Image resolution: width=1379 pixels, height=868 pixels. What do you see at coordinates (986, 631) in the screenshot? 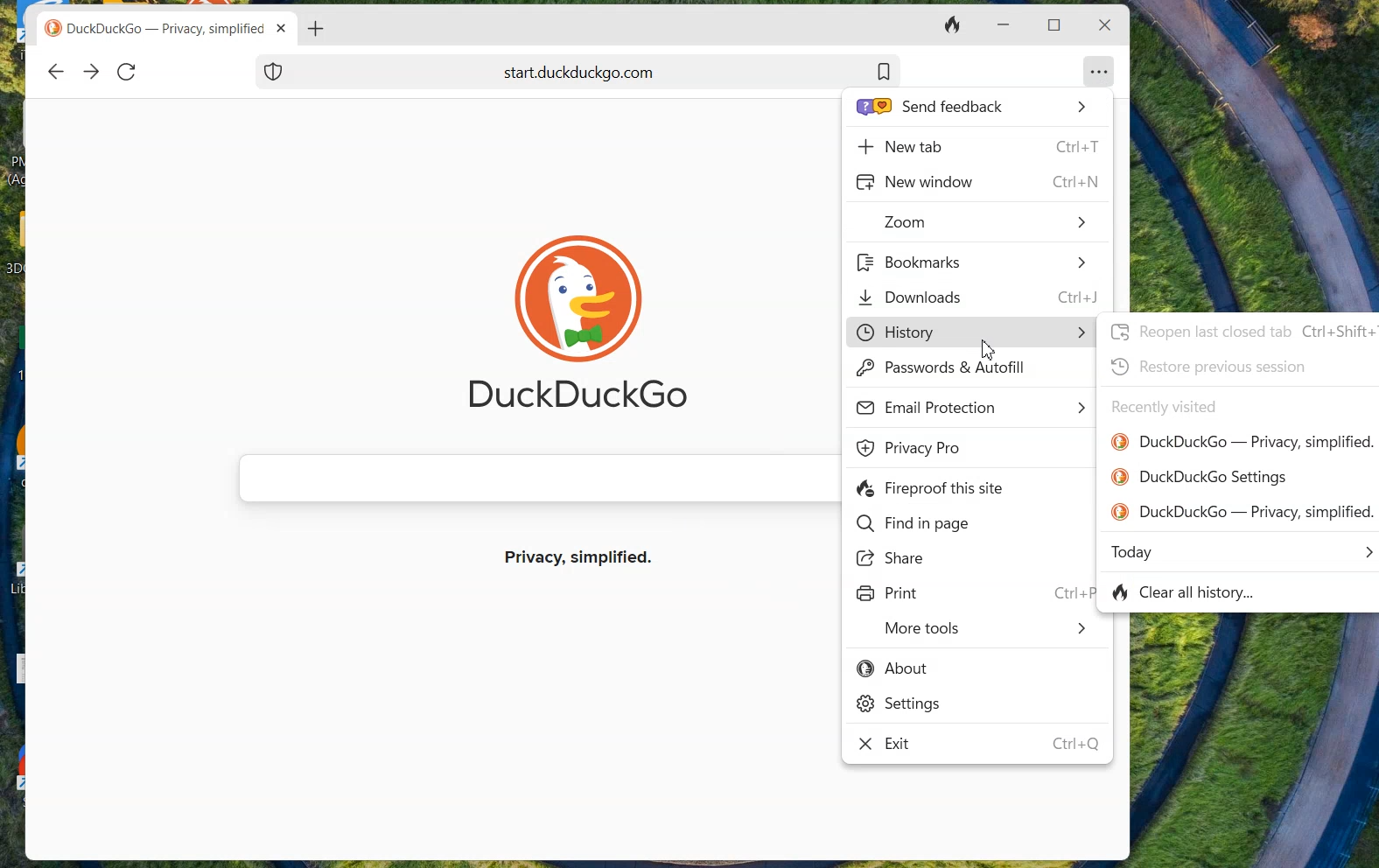
I see `More tools` at bounding box center [986, 631].